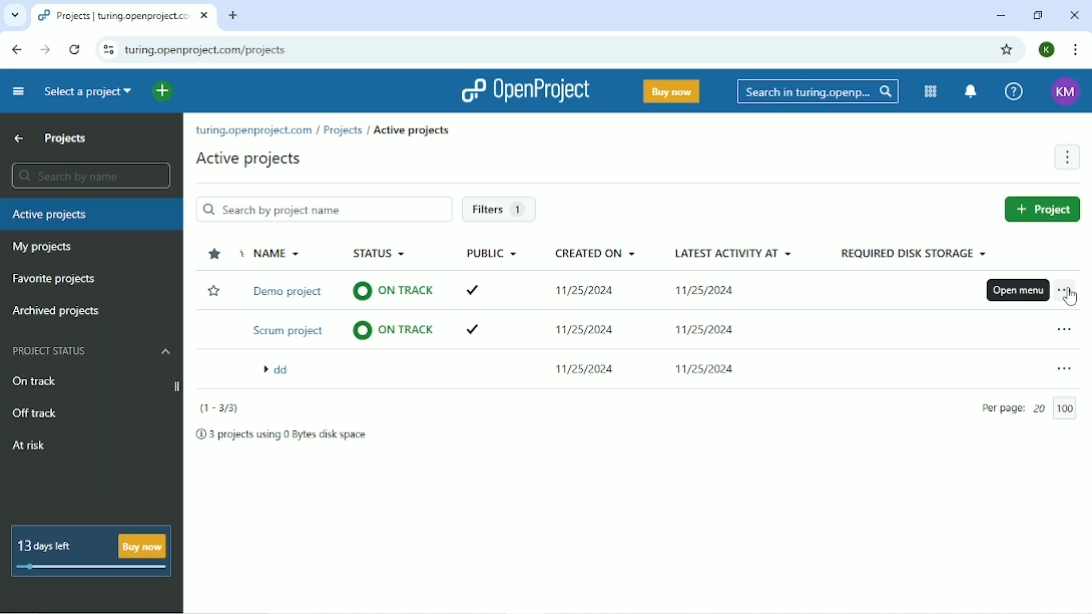  I want to click on Active projects, so click(414, 131).